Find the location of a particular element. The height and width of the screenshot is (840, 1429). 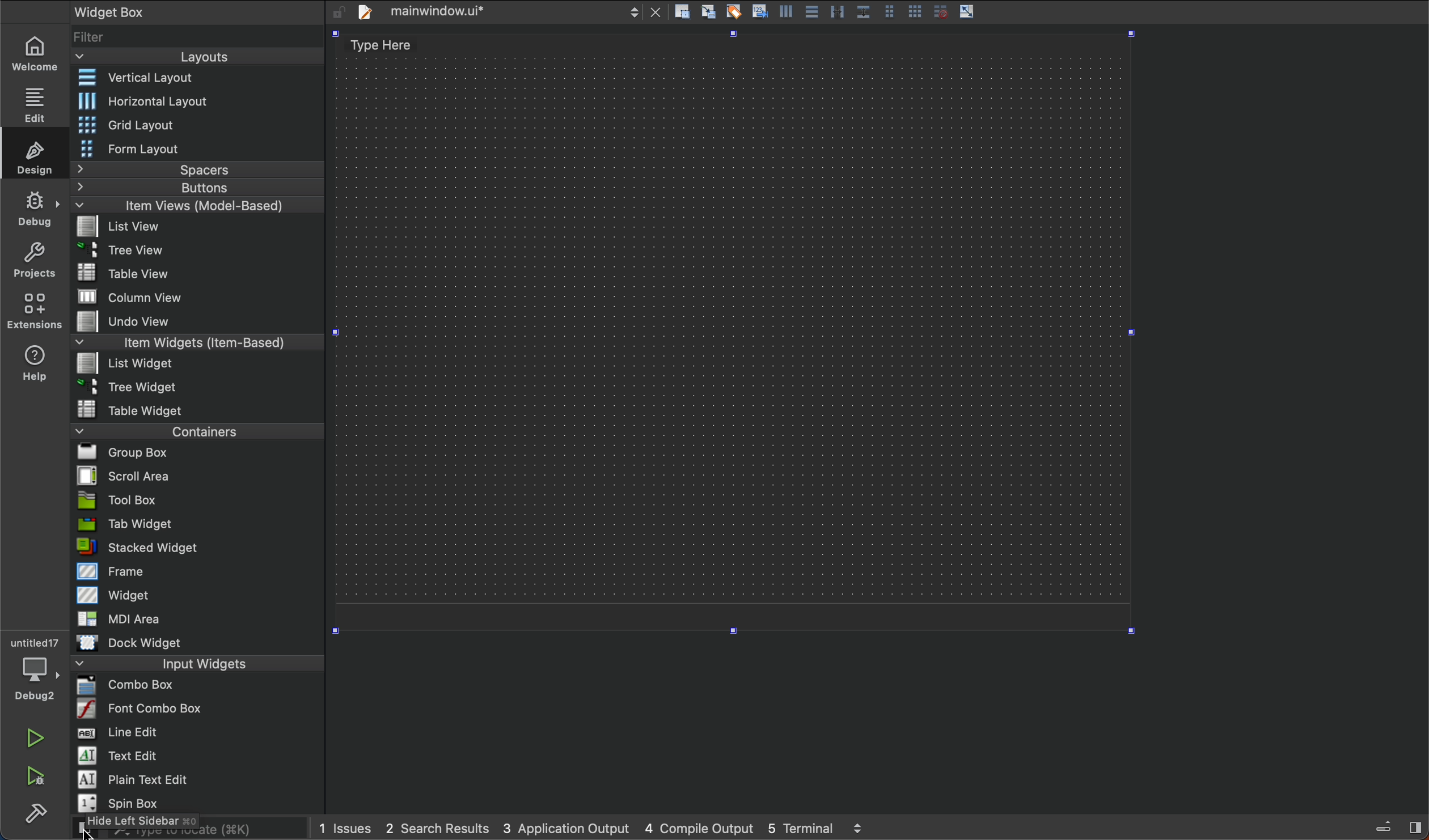

List widget is located at coordinates (130, 363).